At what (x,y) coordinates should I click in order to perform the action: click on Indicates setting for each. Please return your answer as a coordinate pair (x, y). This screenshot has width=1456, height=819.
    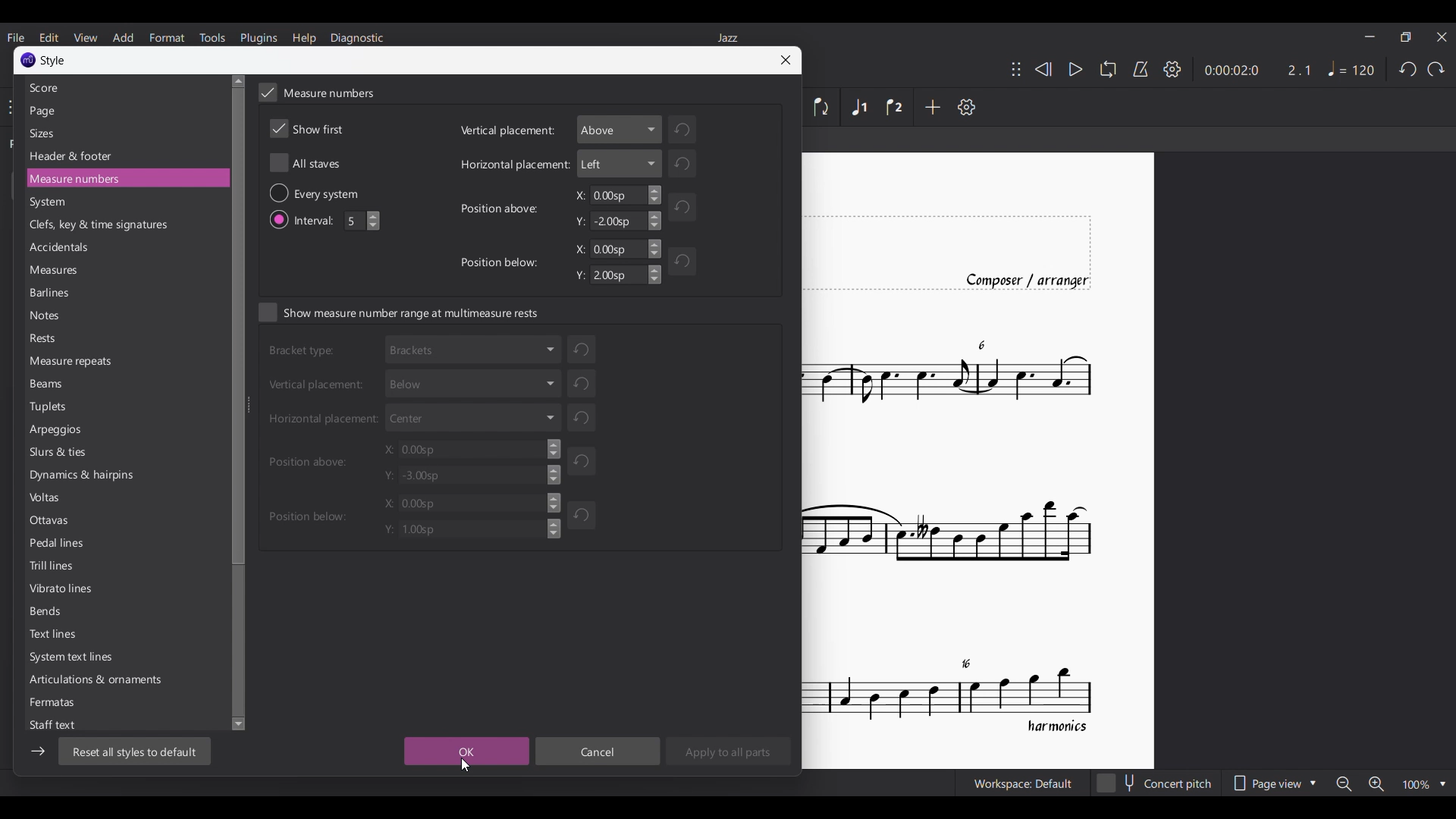
    Looking at the image, I should click on (336, 193).